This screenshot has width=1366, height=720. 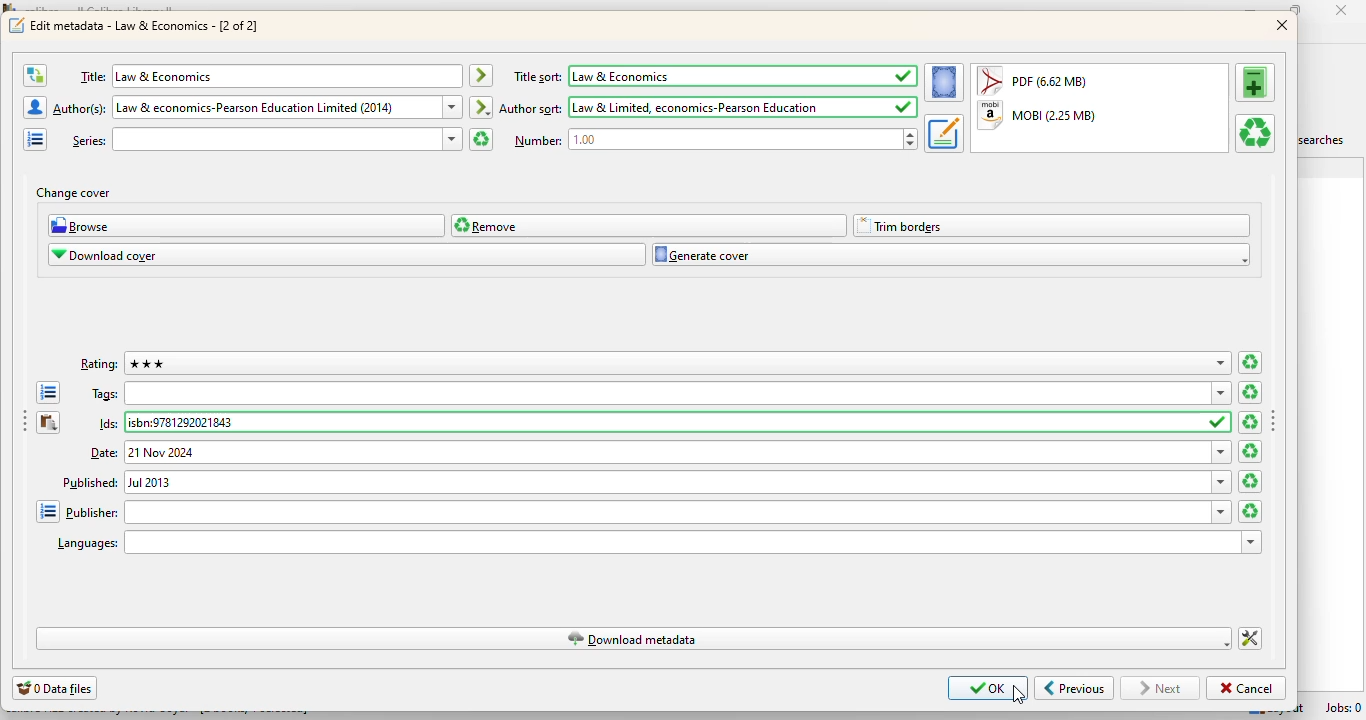 I want to click on download cover, so click(x=347, y=255).